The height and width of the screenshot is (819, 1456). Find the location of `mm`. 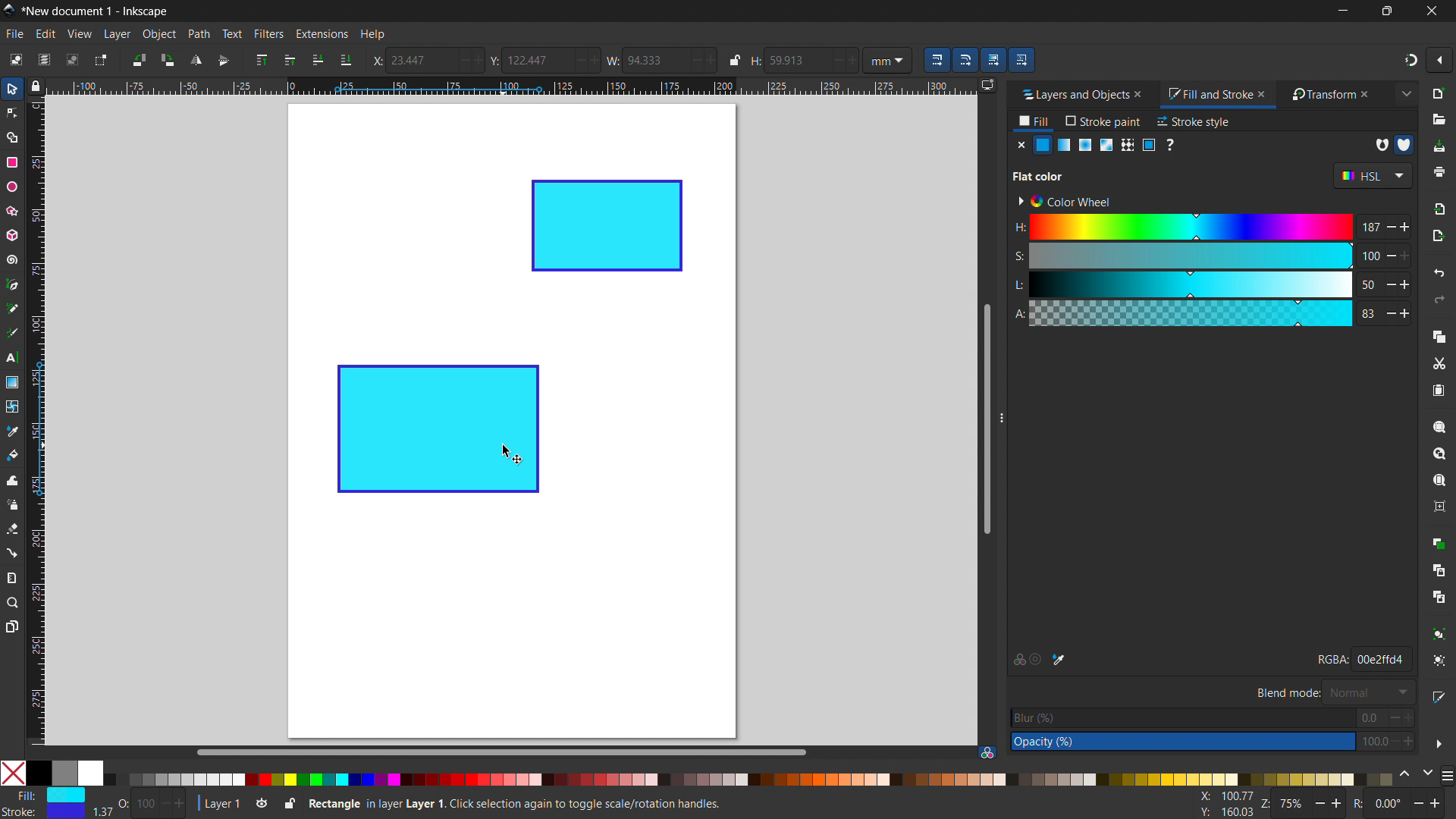

mm is located at coordinates (890, 59).